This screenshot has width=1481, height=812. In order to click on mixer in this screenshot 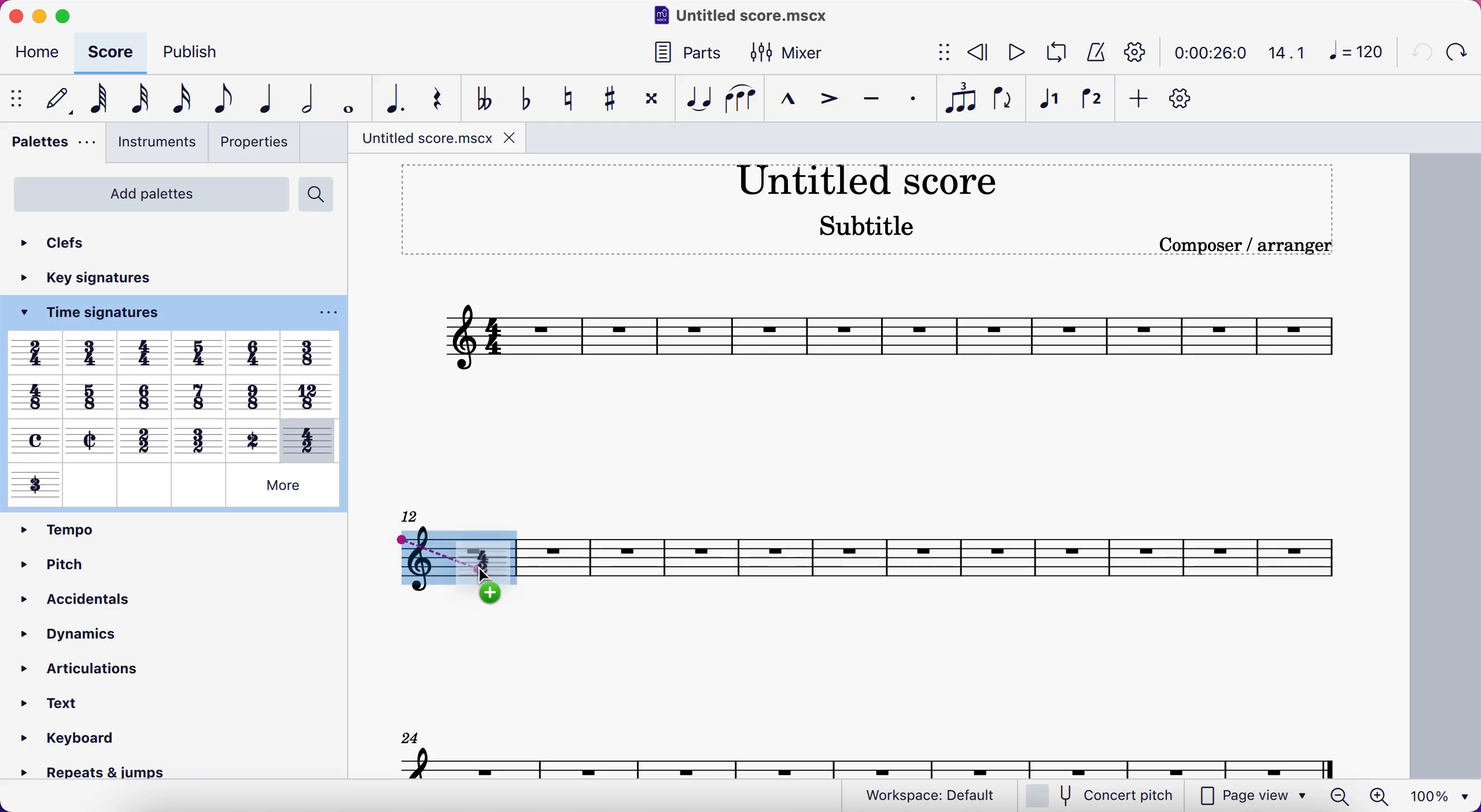, I will do `click(788, 51)`.